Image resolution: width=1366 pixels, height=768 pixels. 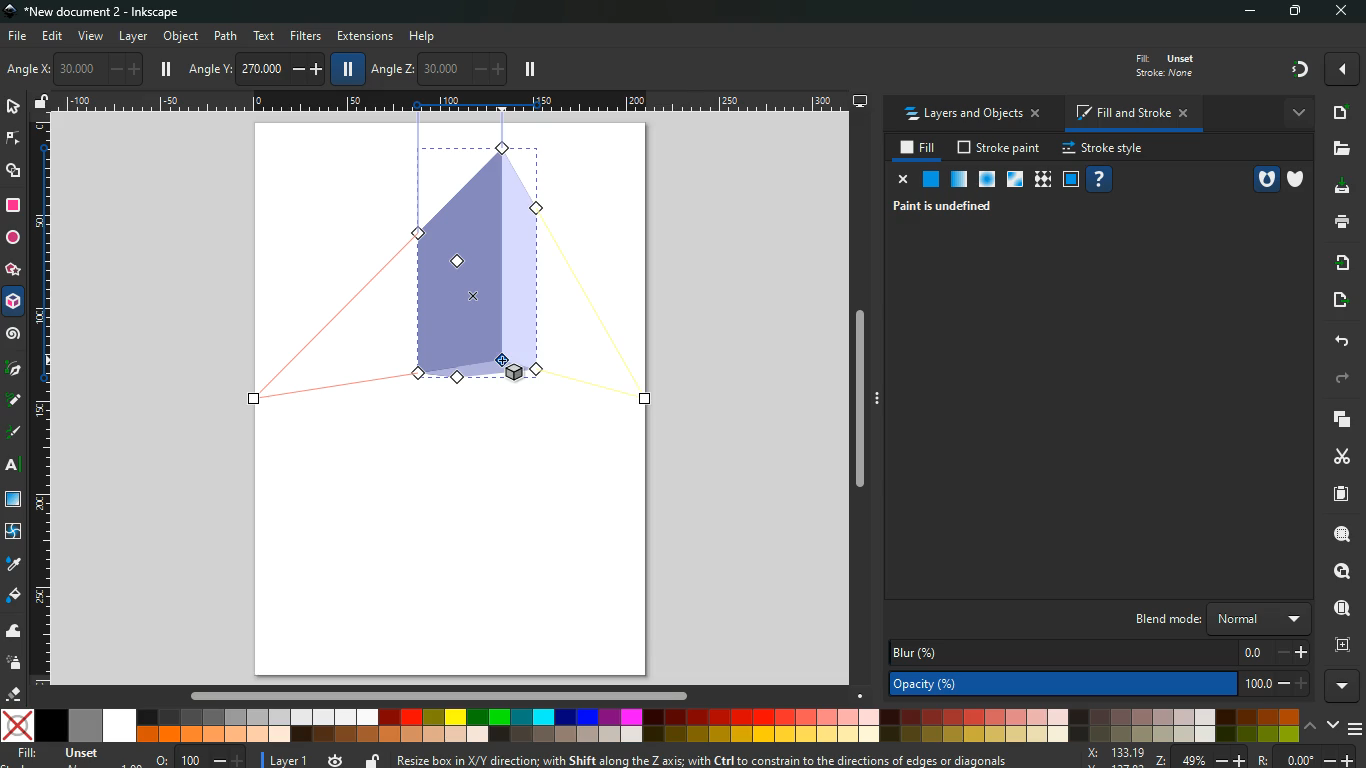 What do you see at coordinates (262, 36) in the screenshot?
I see `text` at bounding box center [262, 36].